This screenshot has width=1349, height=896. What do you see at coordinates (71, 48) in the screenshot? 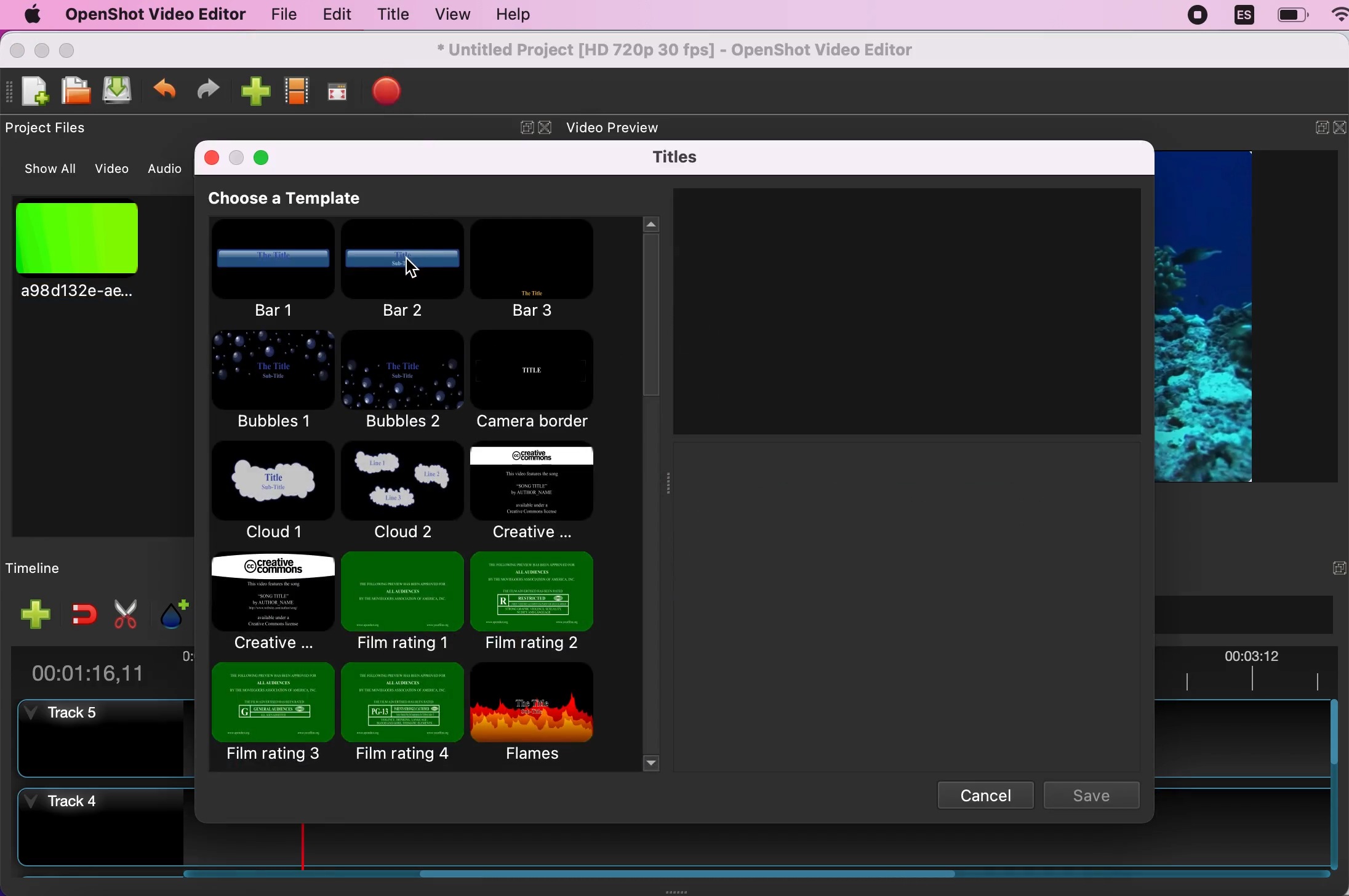
I see `maximize` at bounding box center [71, 48].